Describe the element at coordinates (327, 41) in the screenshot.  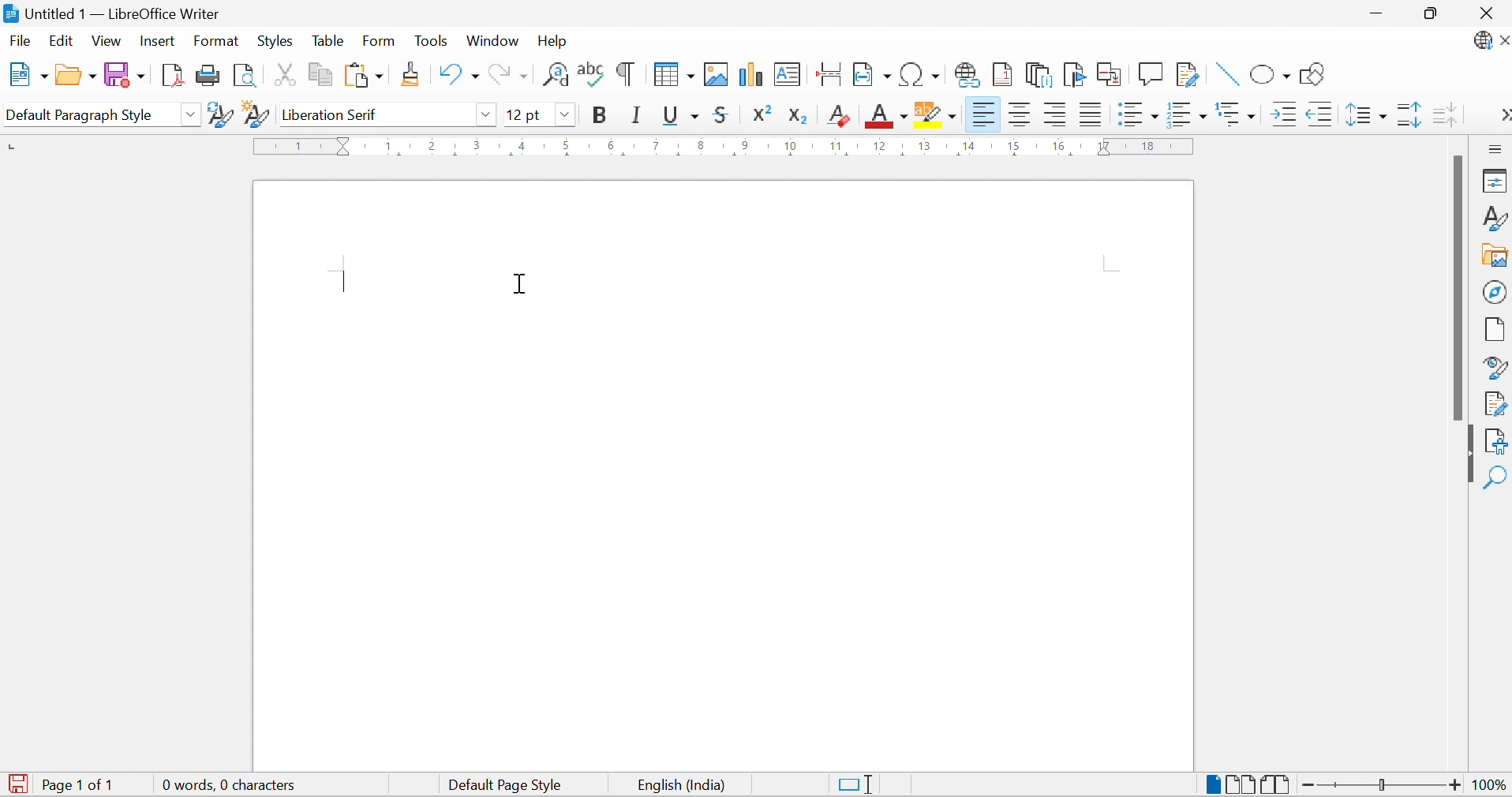
I see `Table` at that location.